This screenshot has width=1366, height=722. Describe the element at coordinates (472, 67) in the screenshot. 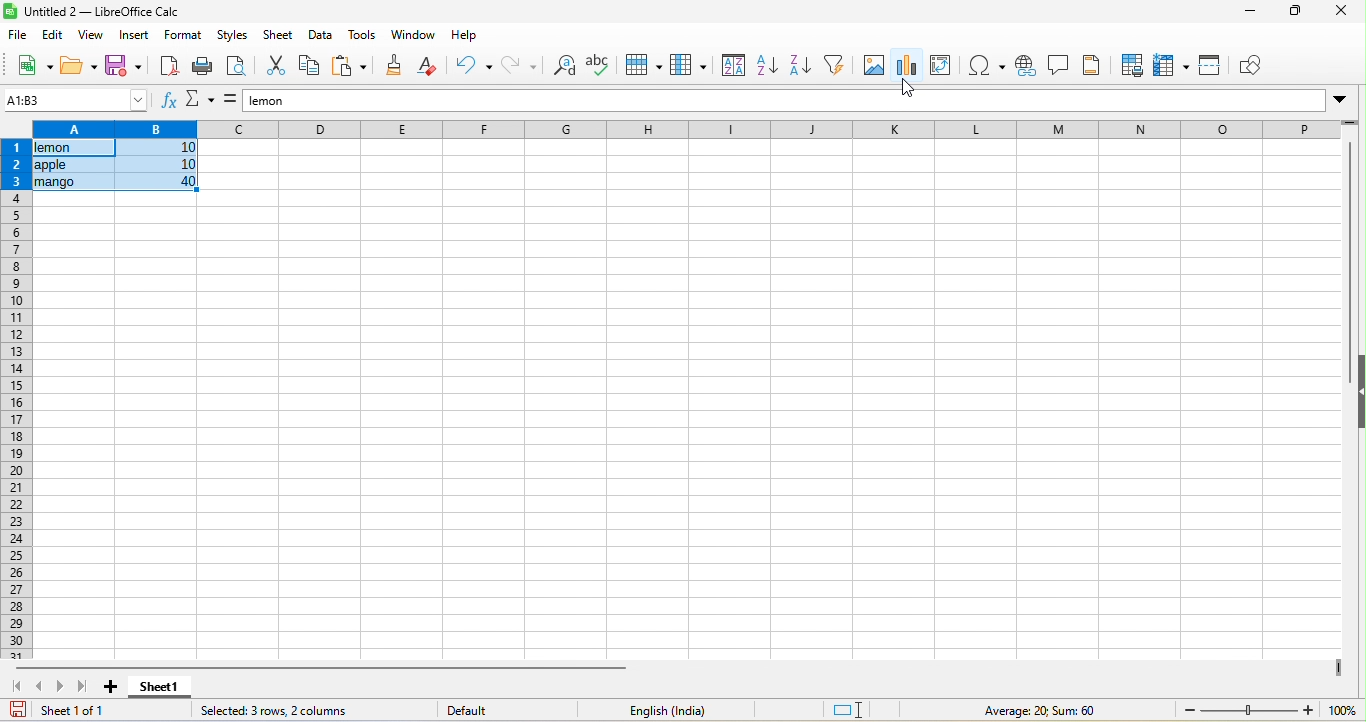

I see `undo` at that location.